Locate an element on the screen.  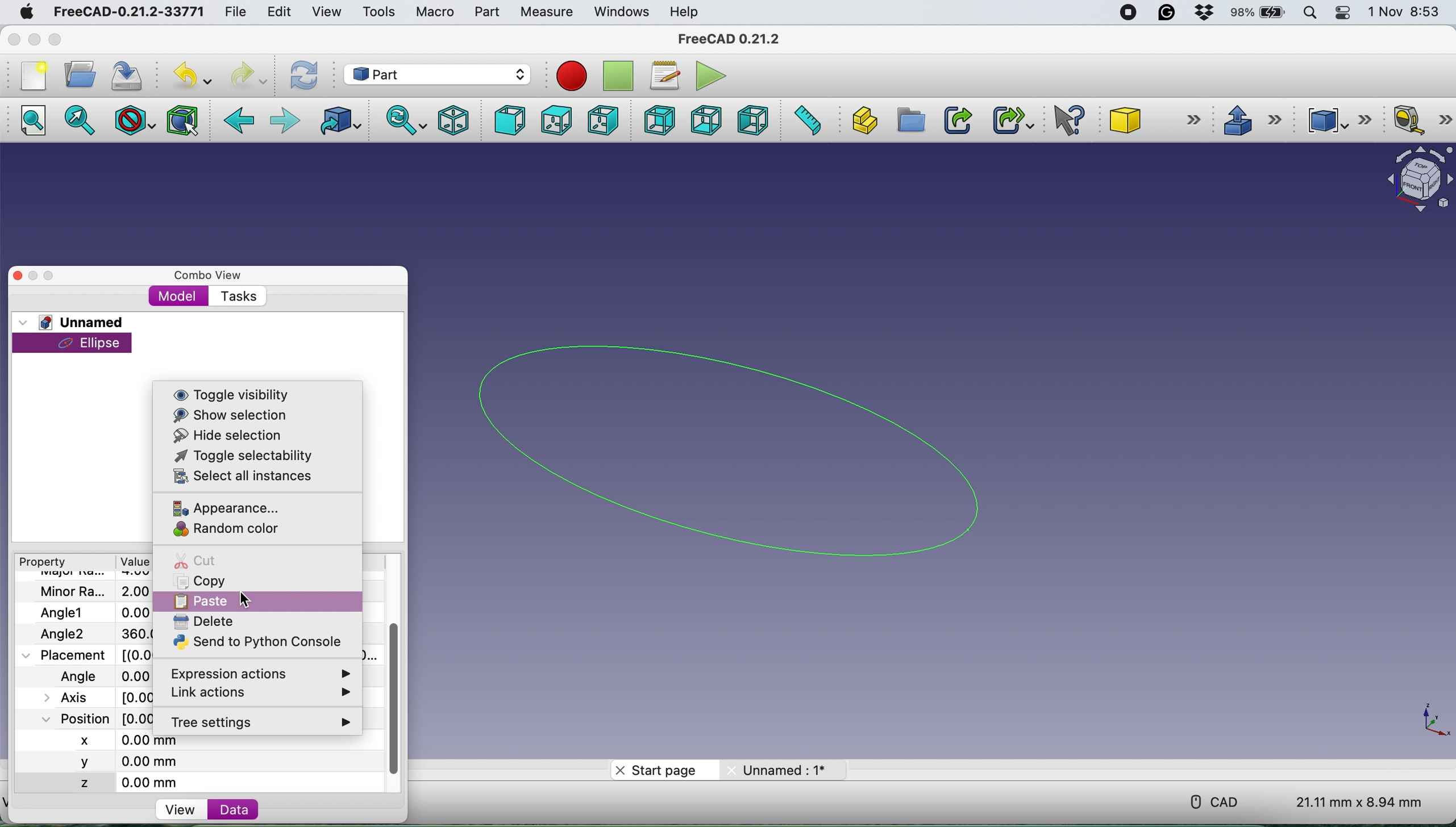
create part is located at coordinates (860, 121).